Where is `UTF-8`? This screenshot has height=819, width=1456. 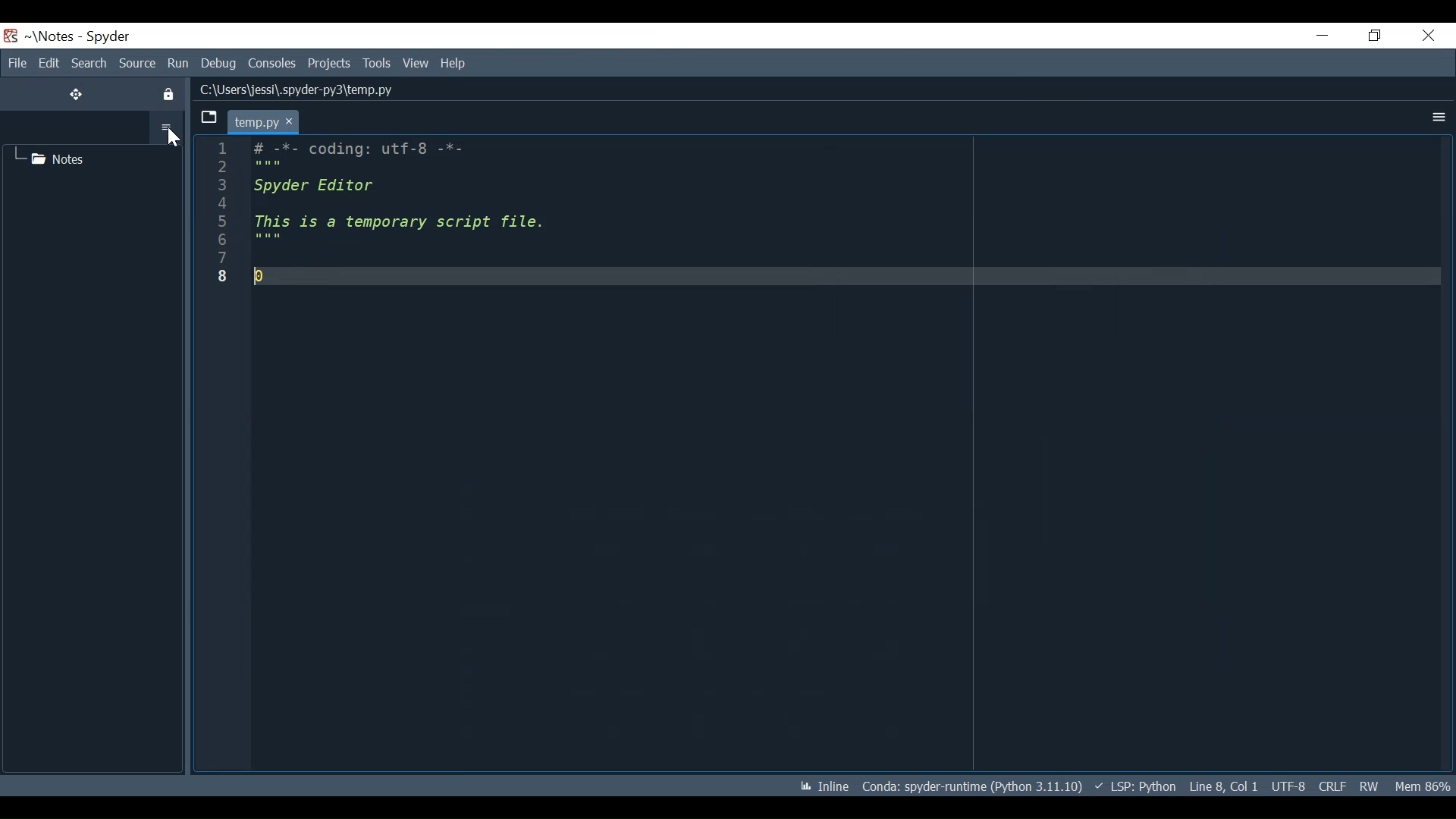 UTF-8 is located at coordinates (1287, 787).